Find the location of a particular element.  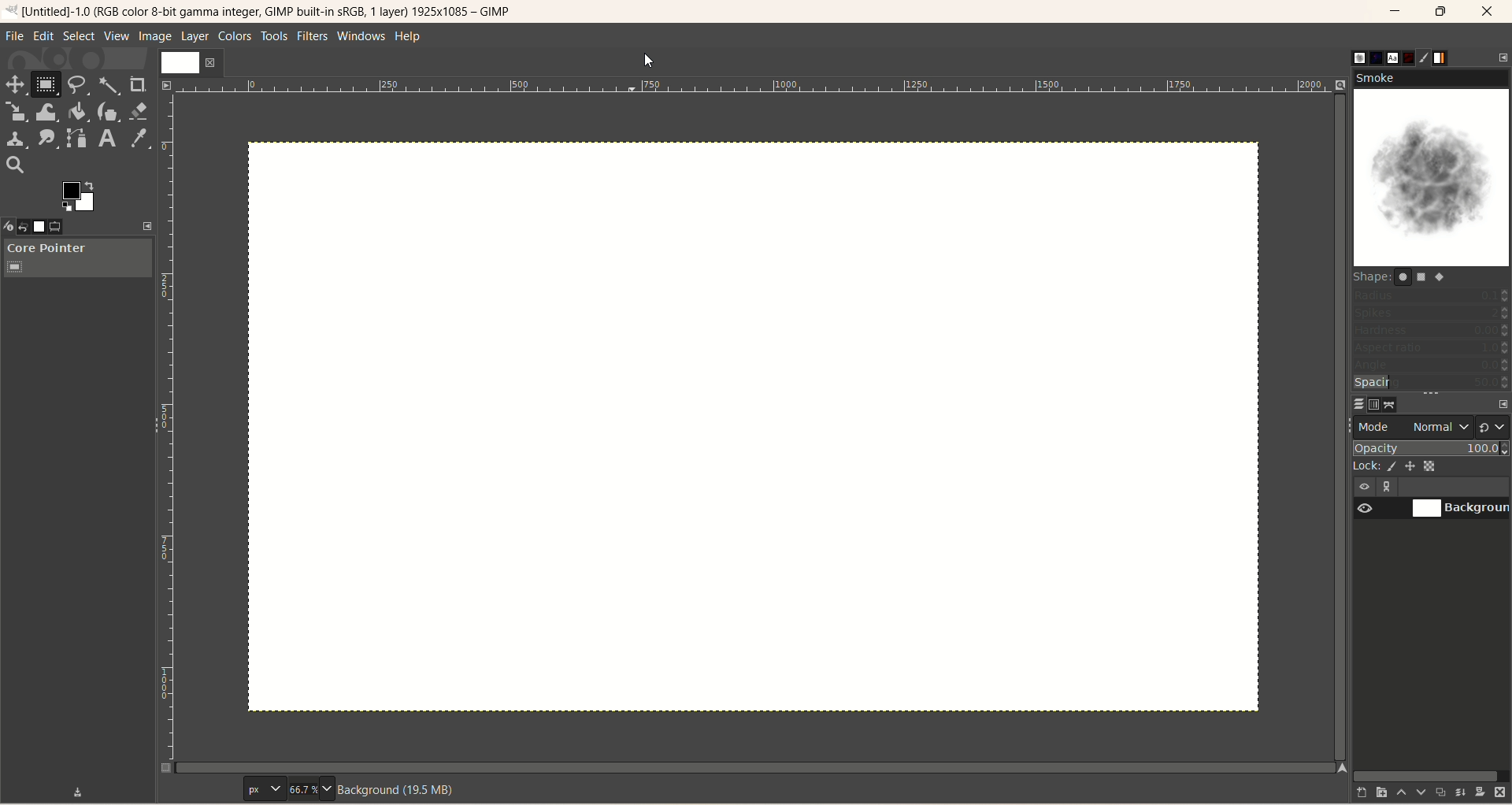

opacity is located at coordinates (1430, 446).